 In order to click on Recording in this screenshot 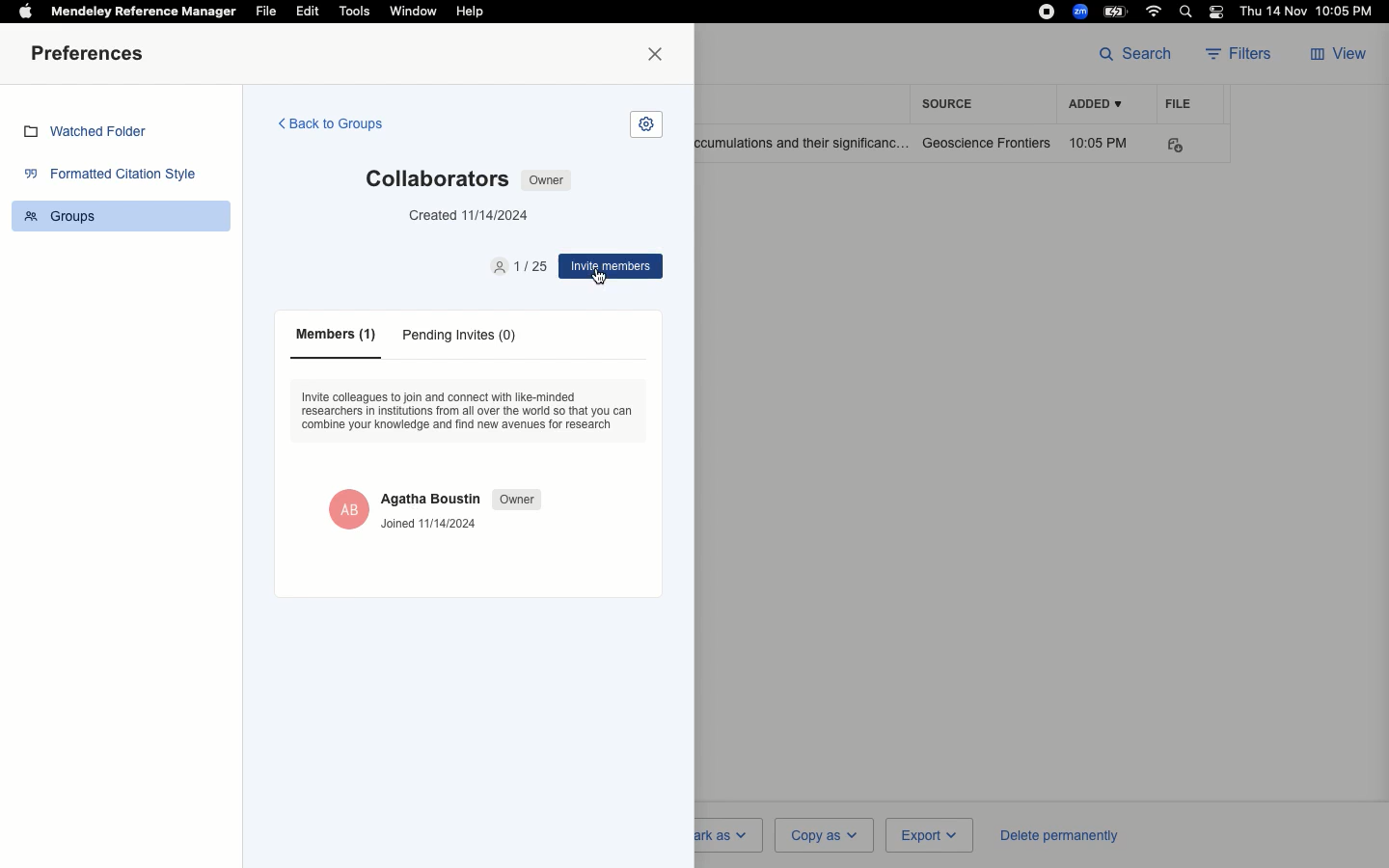, I will do `click(1047, 12)`.